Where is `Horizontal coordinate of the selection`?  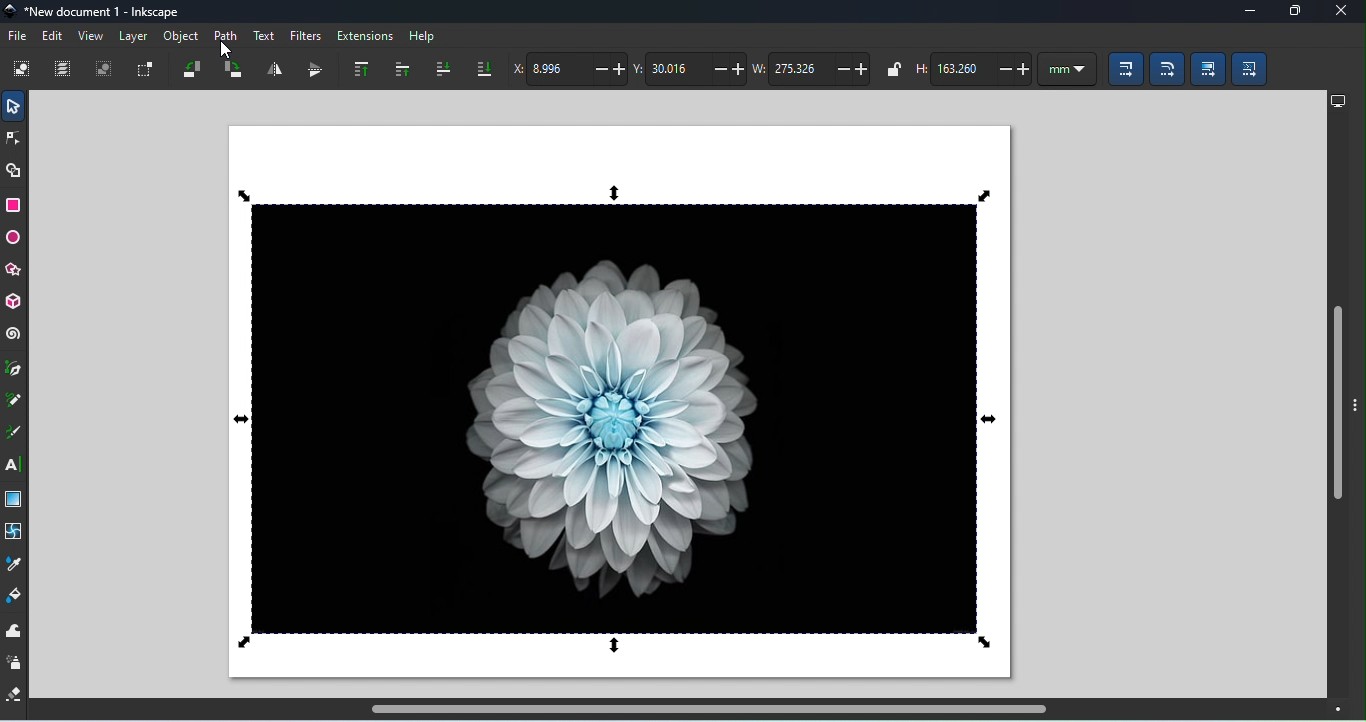 Horizontal coordinate of the selection is located at coordinates (572, 69).